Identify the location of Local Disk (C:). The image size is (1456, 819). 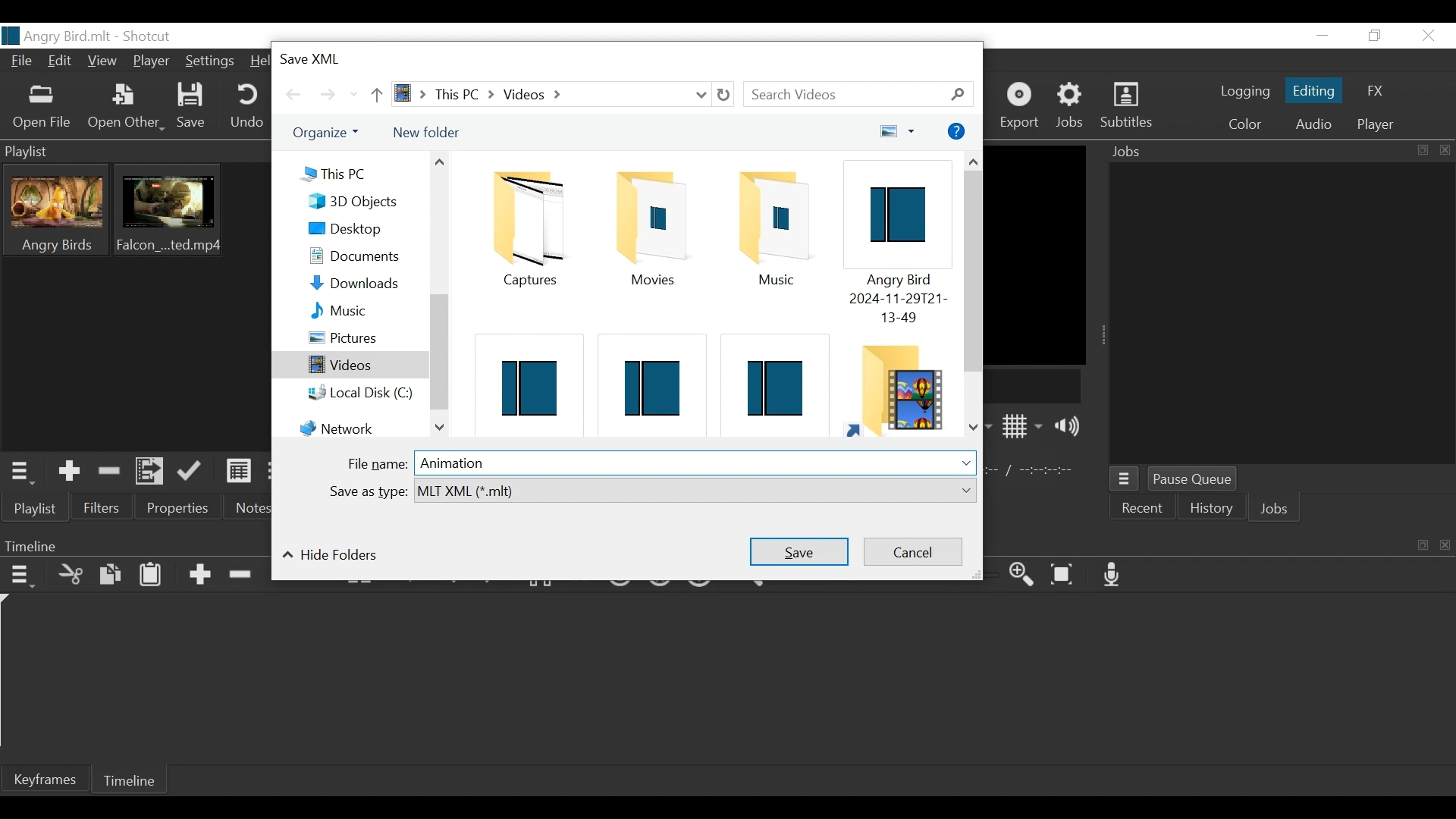
(366, 394).